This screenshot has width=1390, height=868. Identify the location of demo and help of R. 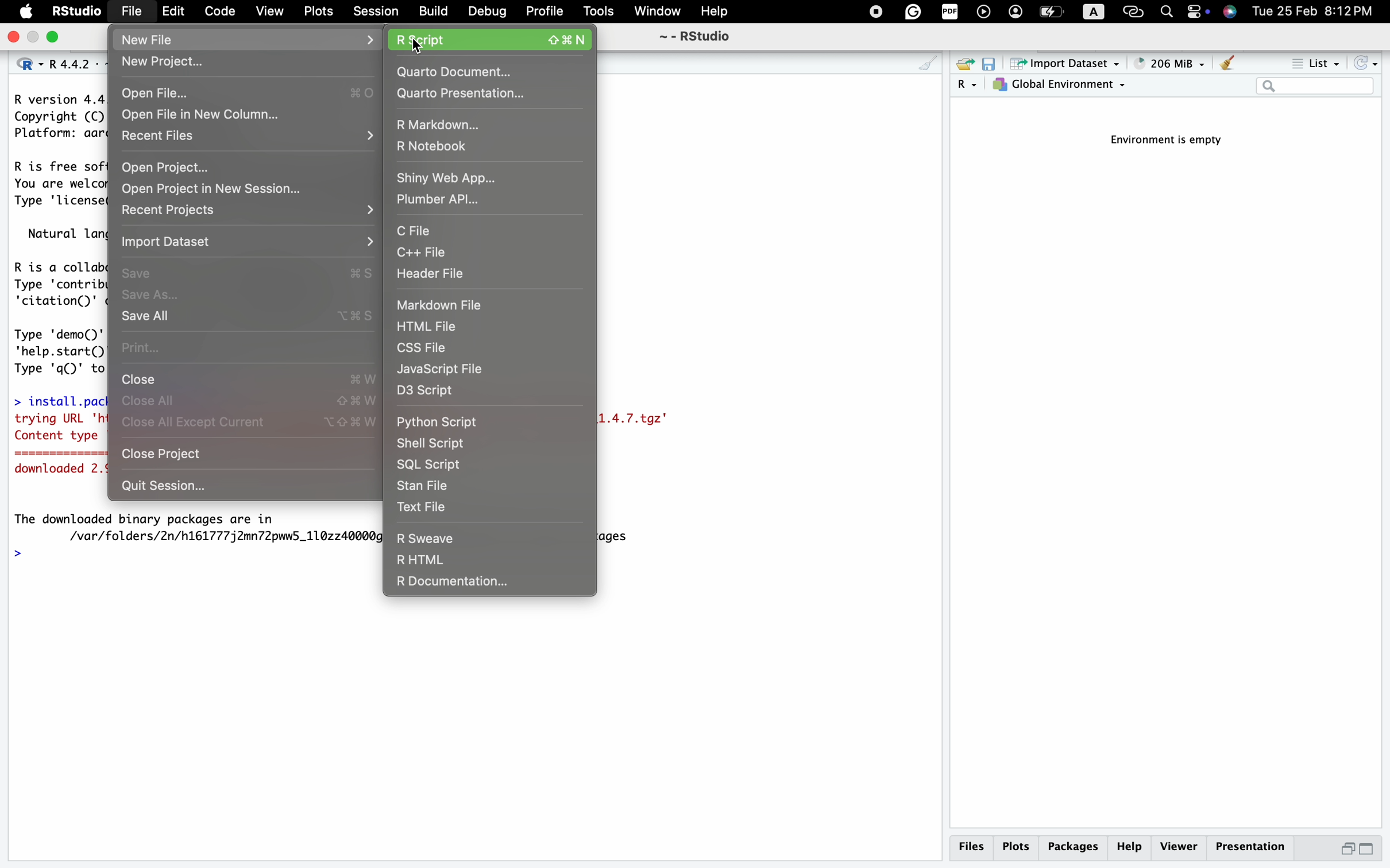
(57, 349).